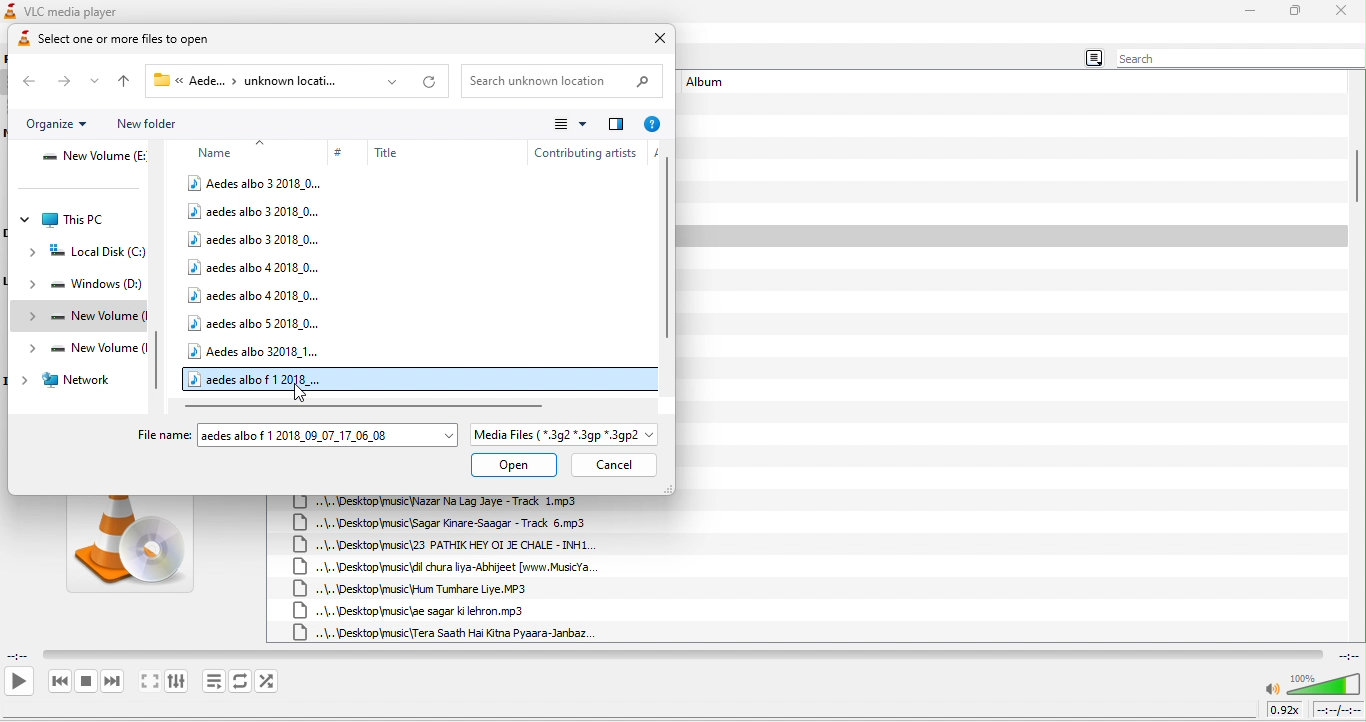  Describe the element at coordinates (1250, 11) in the screenshot. I see `minimize` at that location.